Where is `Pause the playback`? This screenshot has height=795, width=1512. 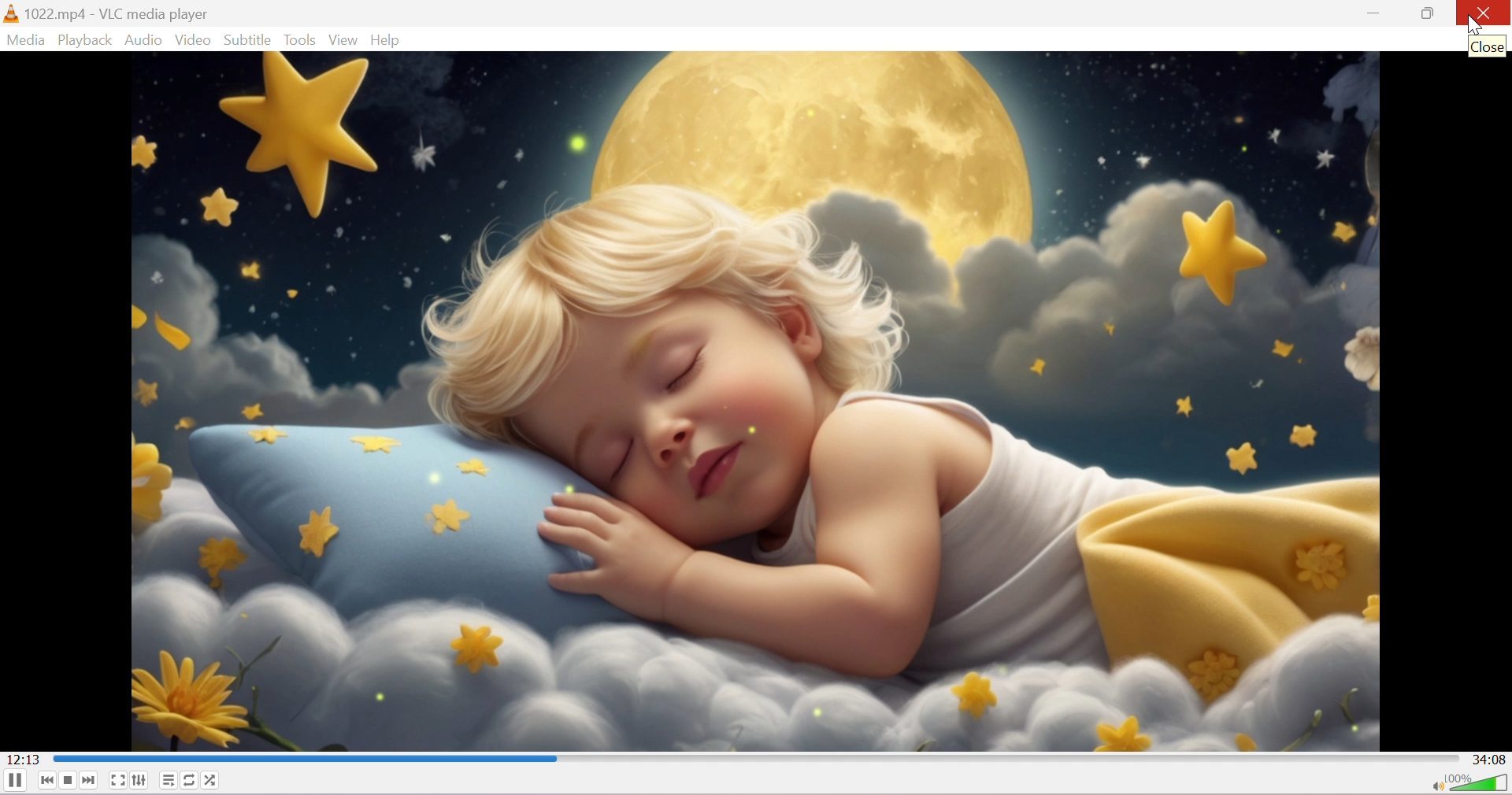 Pause the playback is located at coordinates (14, 781).